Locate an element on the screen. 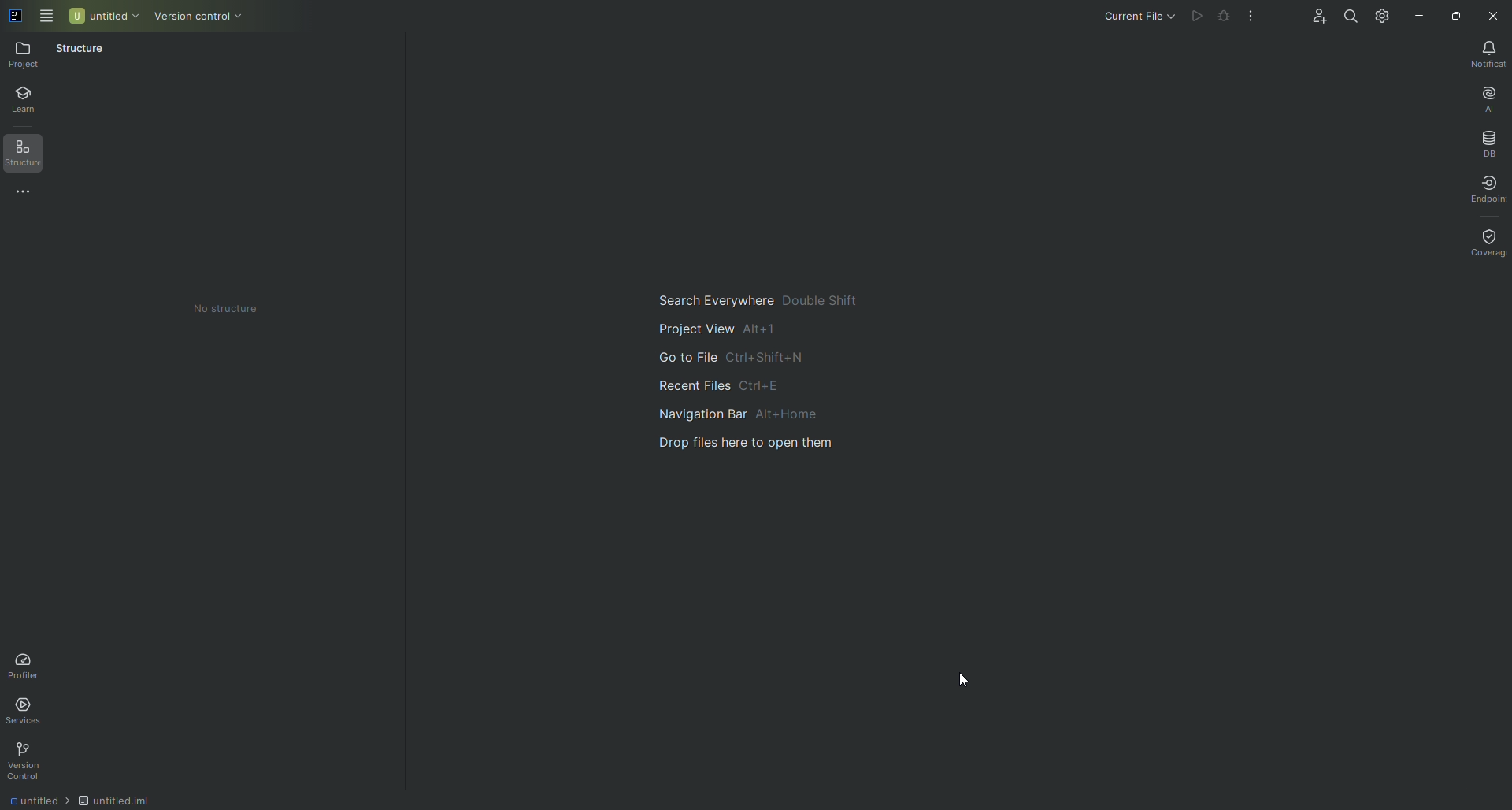  Project is located at coordinates (26, 54).